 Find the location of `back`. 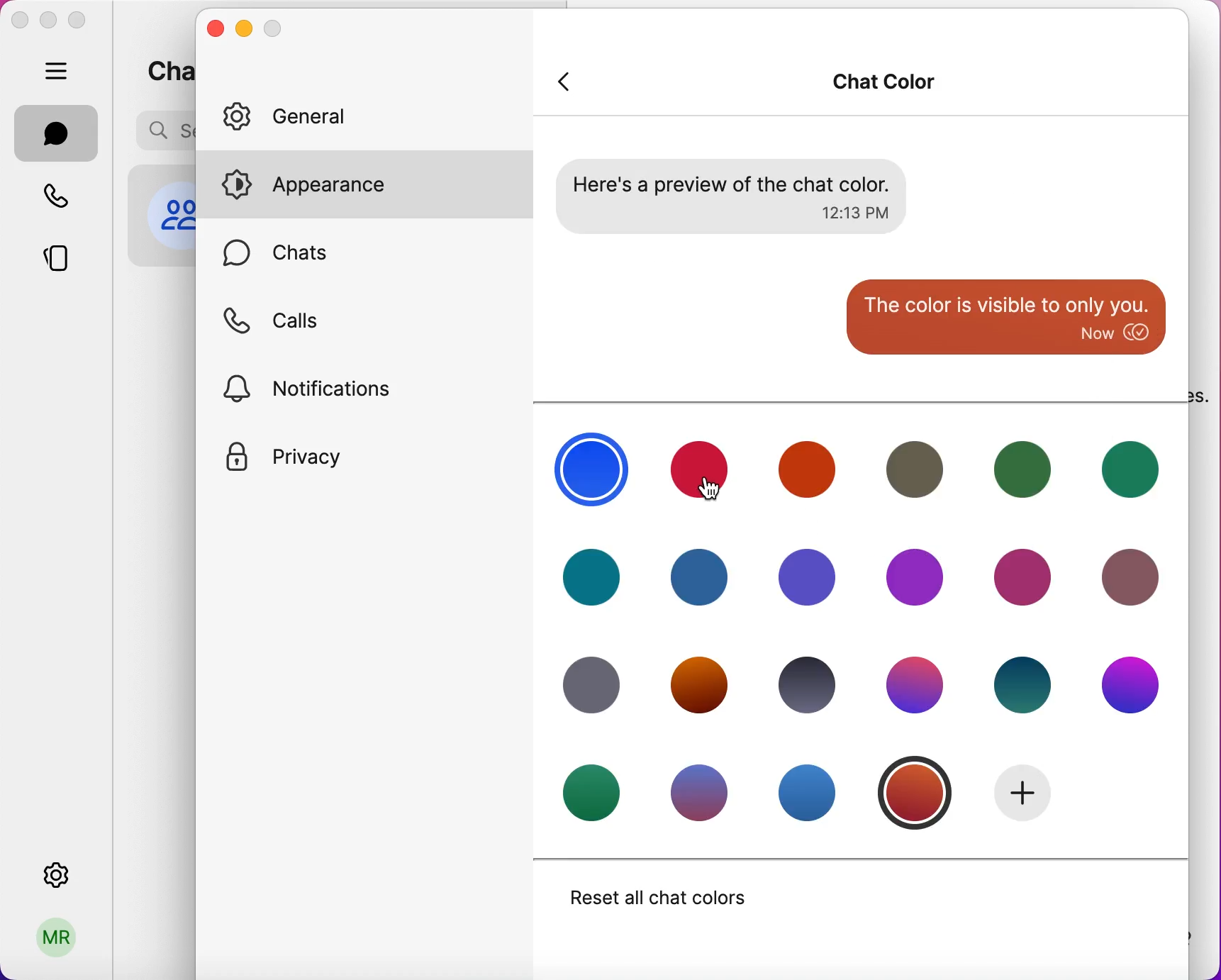

back is located at coordinates (571, 79).